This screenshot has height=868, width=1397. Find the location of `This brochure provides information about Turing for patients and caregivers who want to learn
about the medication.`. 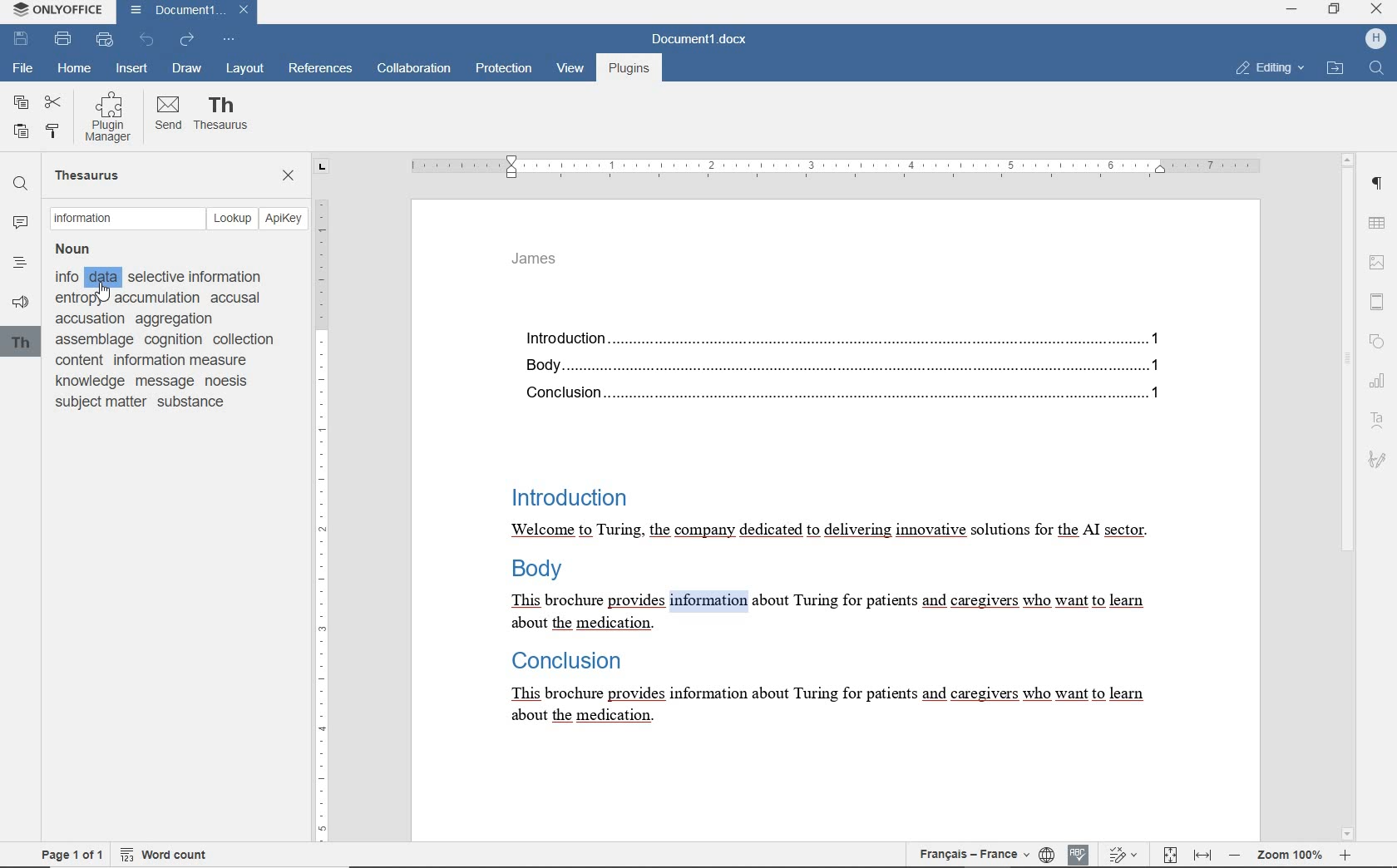

This brochure provides information about Turing for patients and caregivers who want to learn
about the medication. is located at coordinates (832, 705).